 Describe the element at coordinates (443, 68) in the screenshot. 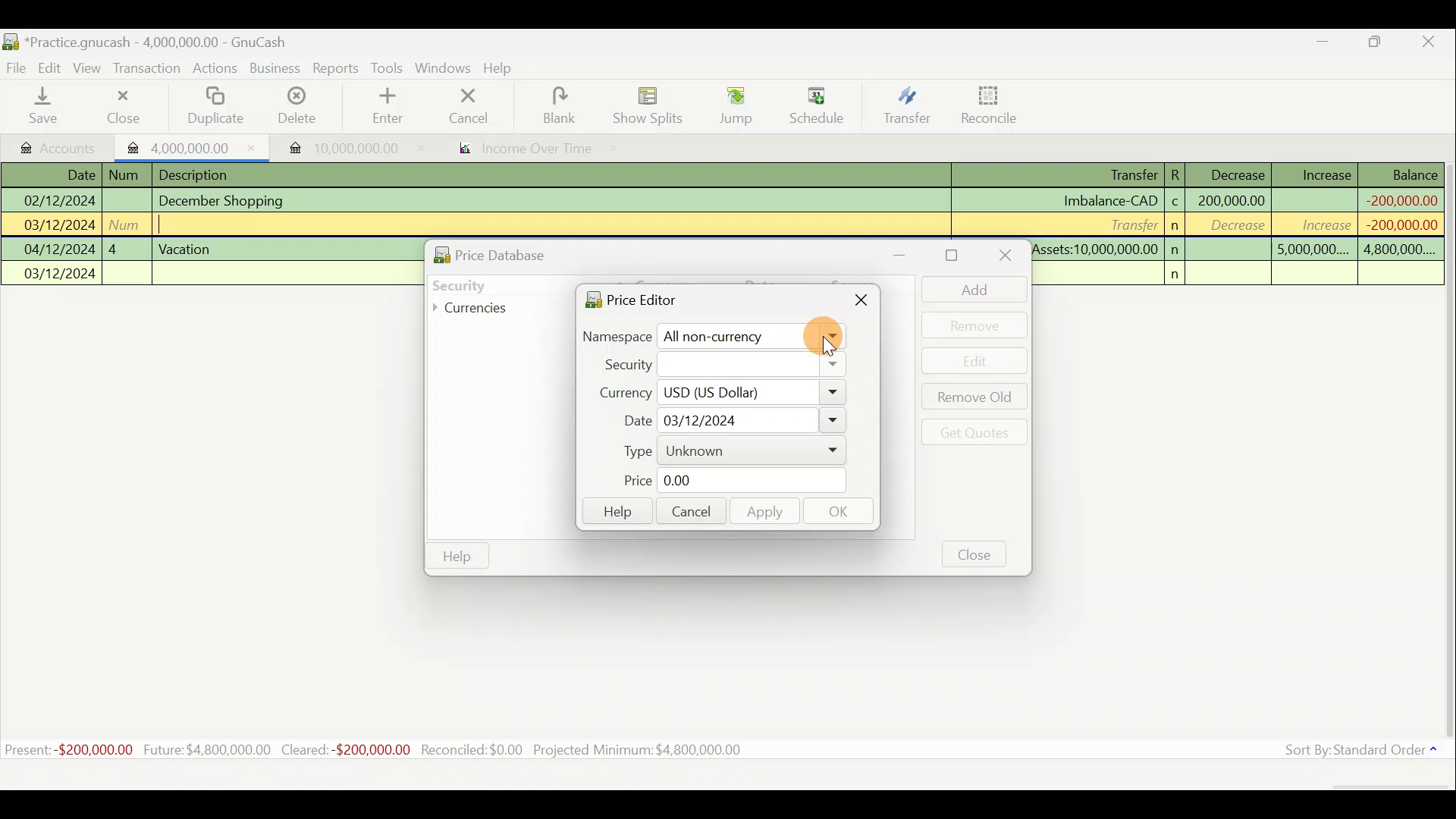

I see `Windows` at that location.